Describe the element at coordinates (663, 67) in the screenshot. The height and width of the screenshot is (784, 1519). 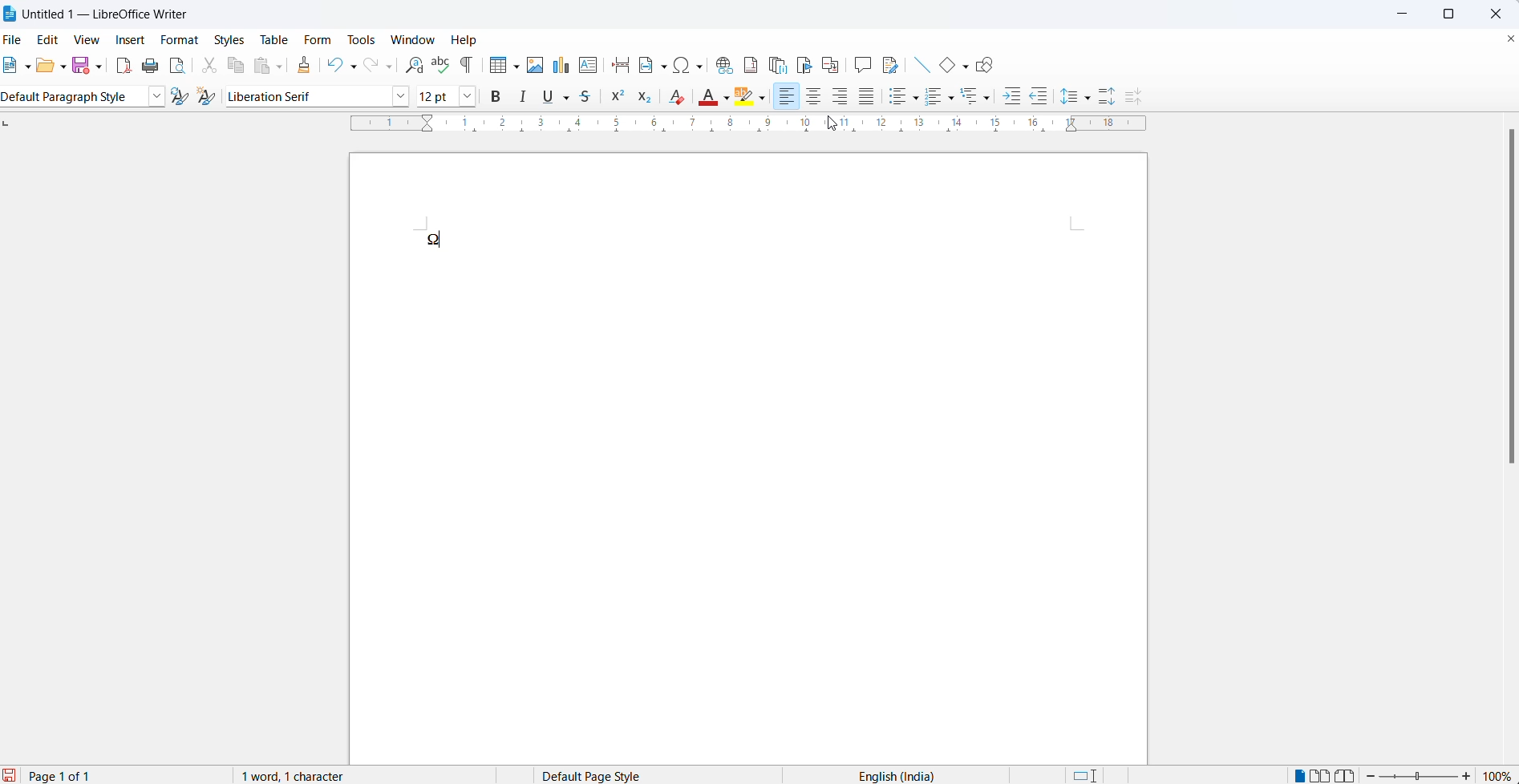
I see `insert fields` at that location.